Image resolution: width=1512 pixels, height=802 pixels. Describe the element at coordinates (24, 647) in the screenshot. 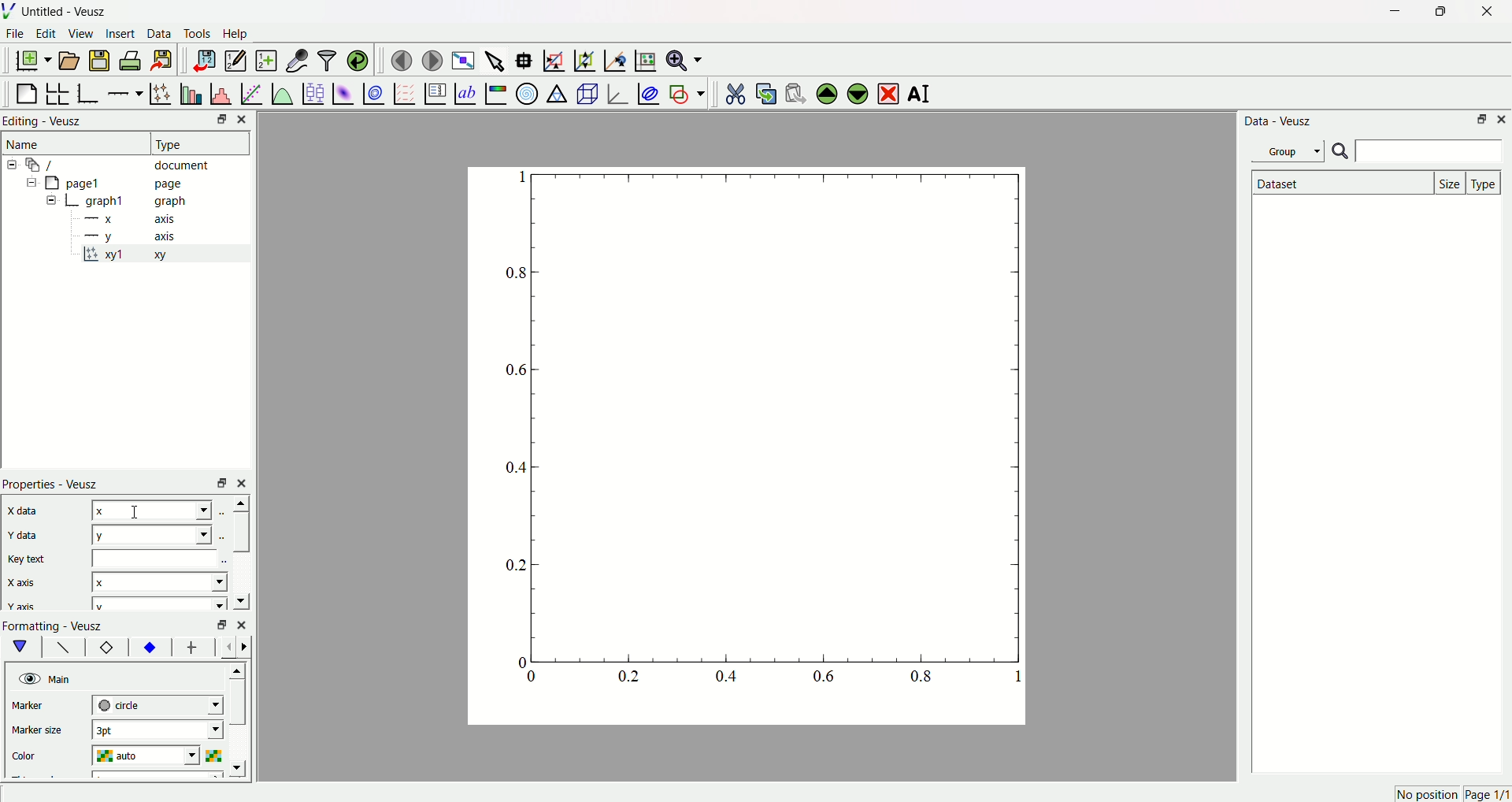

I see `main` at that location.